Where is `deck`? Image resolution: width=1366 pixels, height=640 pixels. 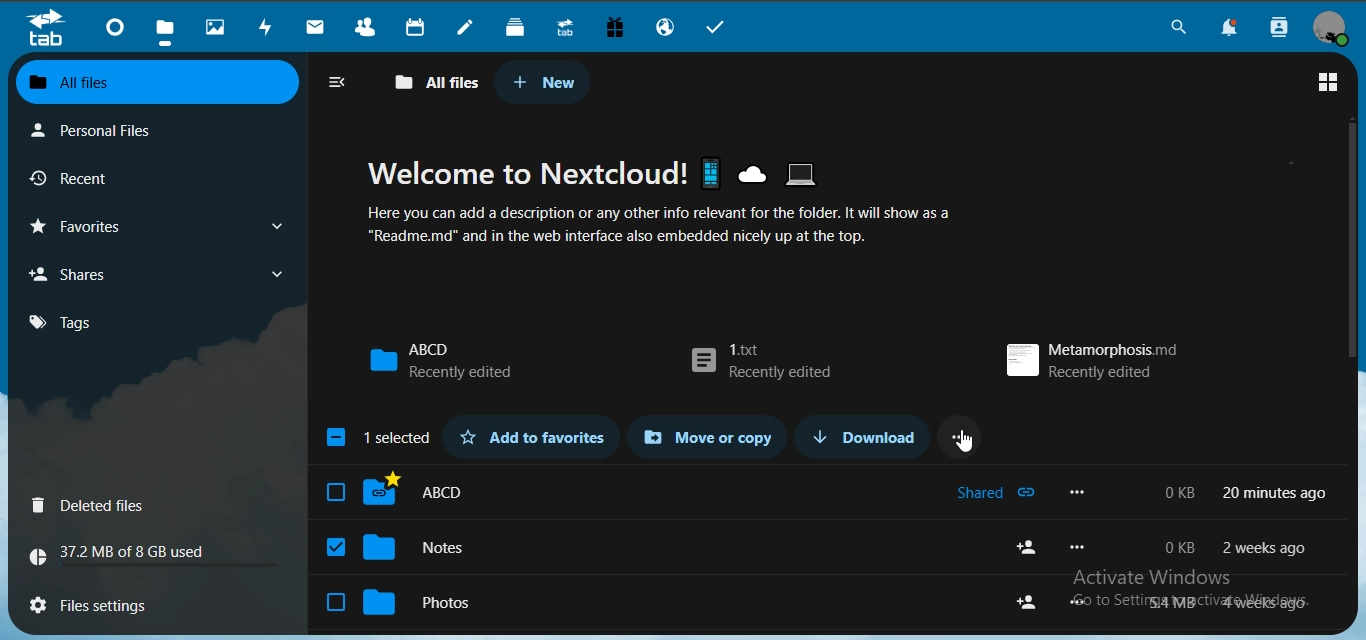
deck is located at coordinates (519, 27).